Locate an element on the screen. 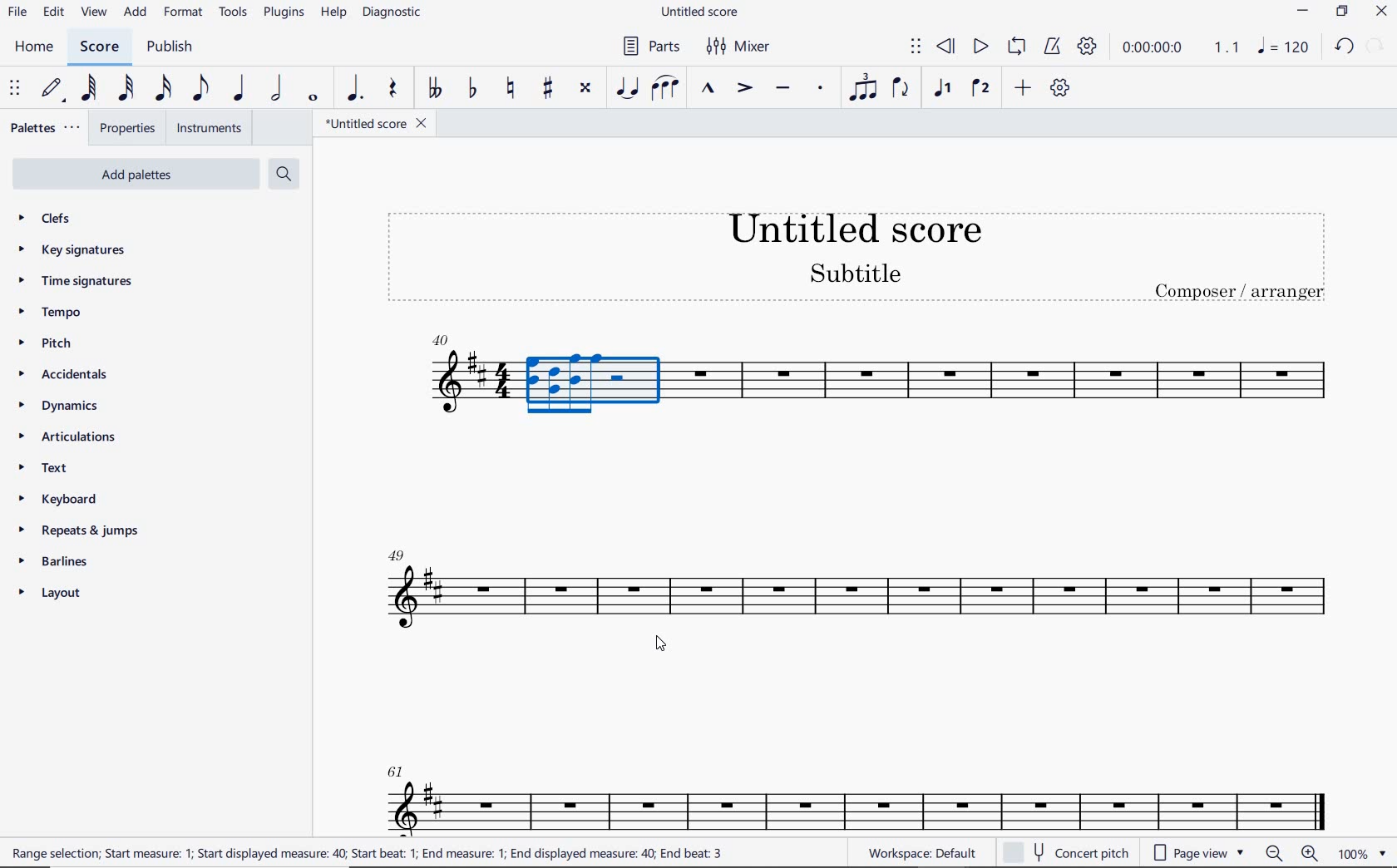 Image resolution: width=1397 pixels, height=868 pixels. HALF NOTE is located at coordinates (278, 89).